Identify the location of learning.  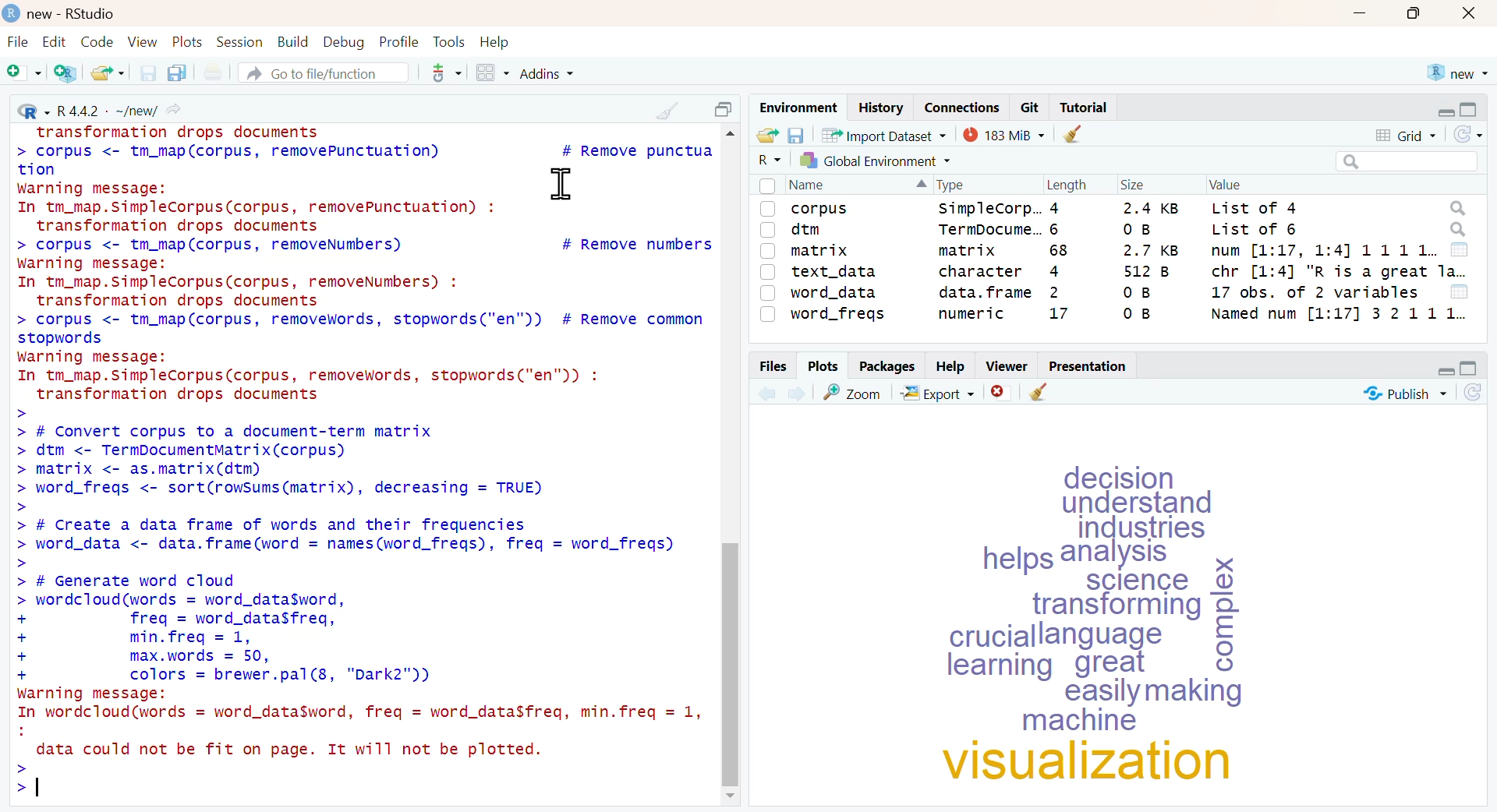
(995, 667).